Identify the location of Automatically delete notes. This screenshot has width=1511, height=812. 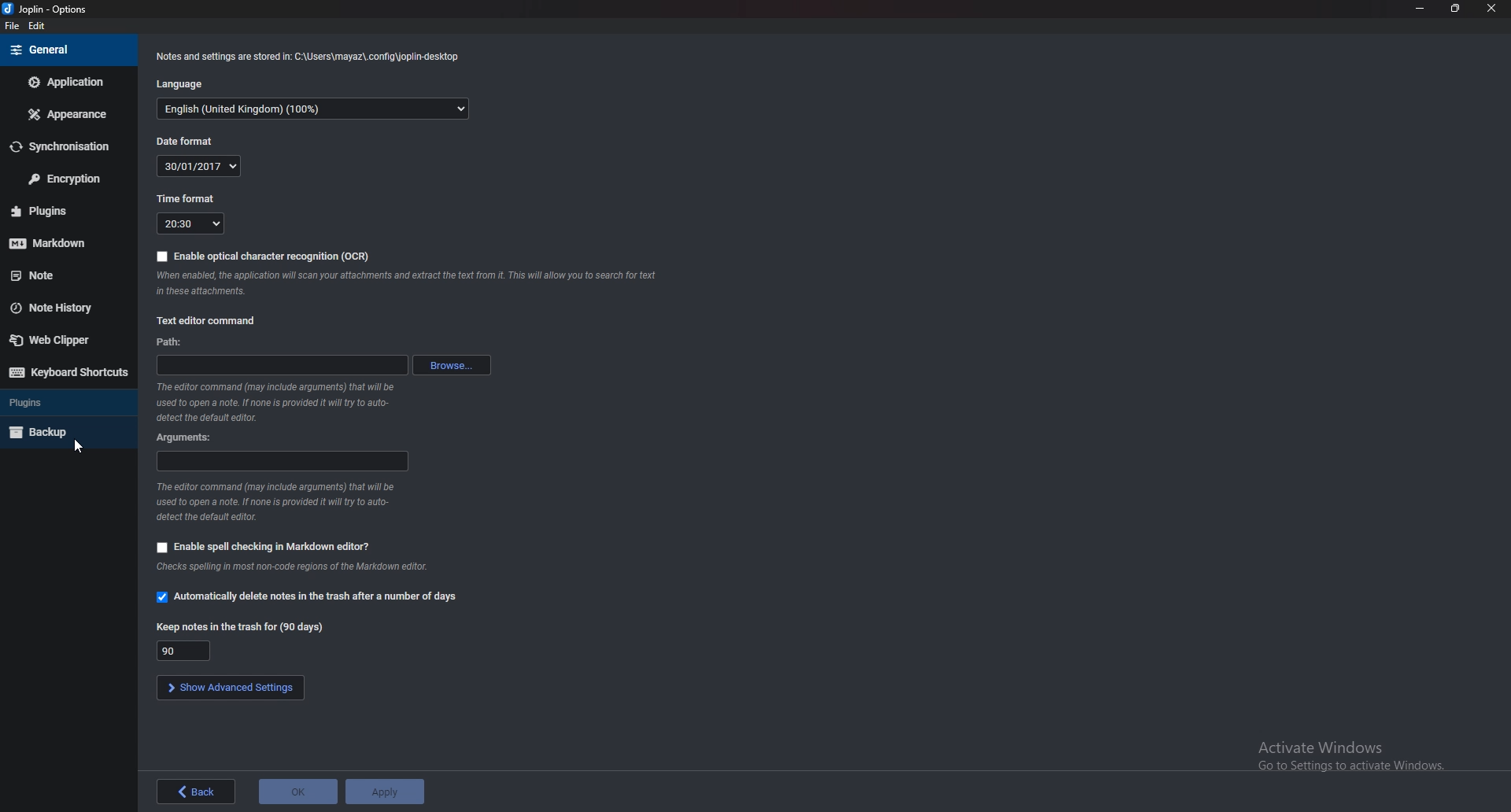
(306, 595).